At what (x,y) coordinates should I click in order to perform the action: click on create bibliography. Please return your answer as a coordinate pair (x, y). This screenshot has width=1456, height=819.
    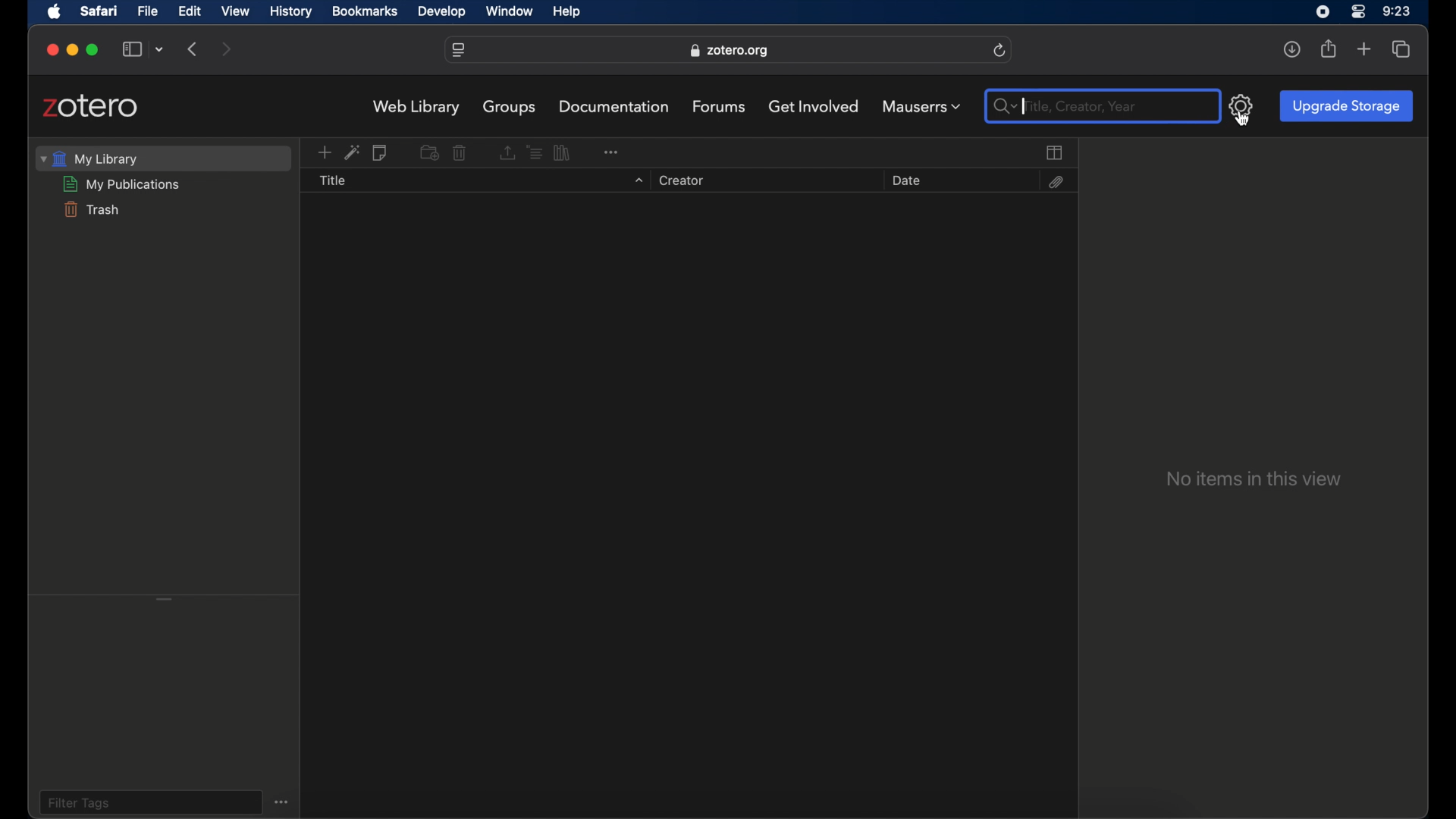
    Looking at the image, I should click on (563, 152).